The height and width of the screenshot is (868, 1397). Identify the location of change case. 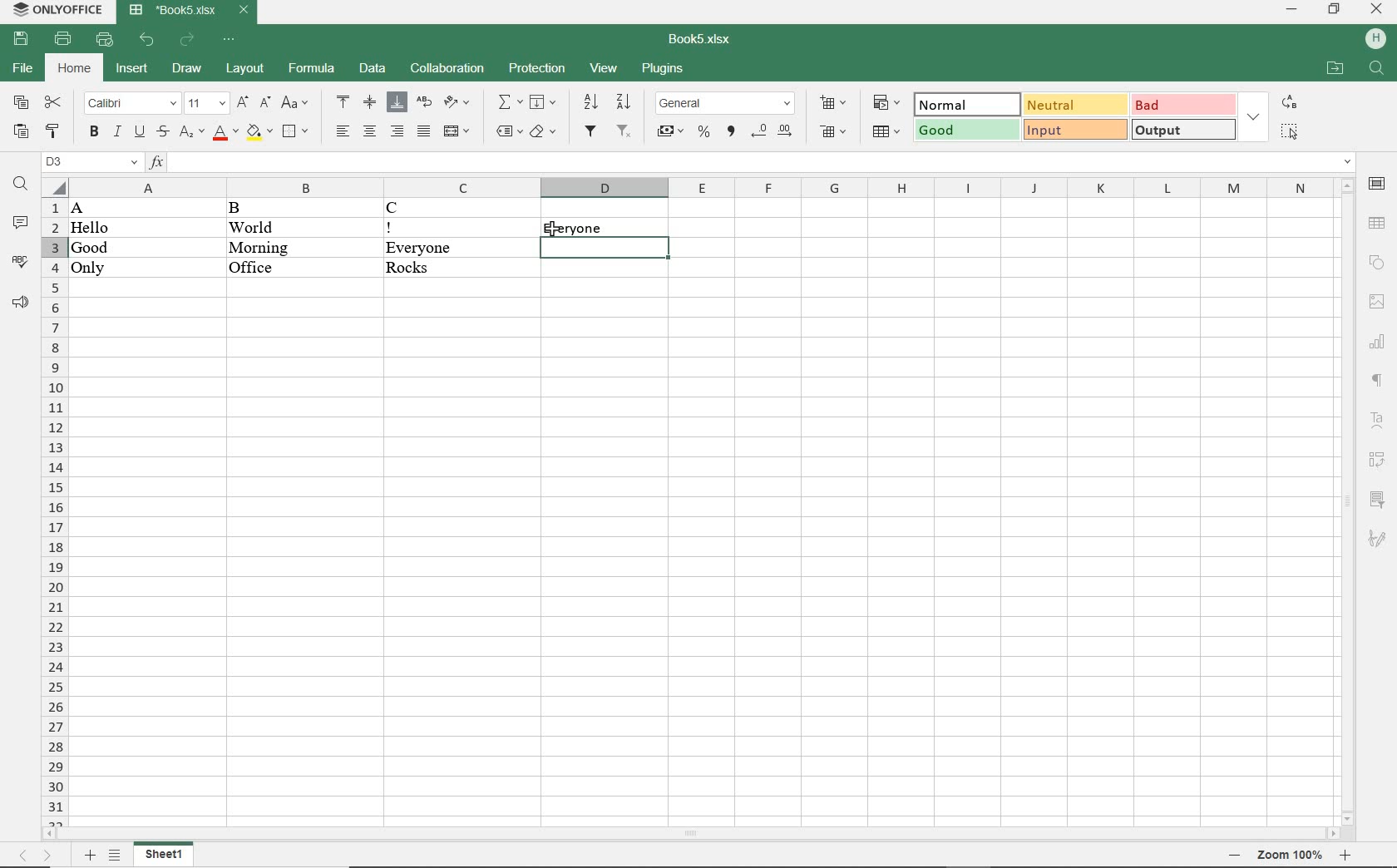
(294, 104).